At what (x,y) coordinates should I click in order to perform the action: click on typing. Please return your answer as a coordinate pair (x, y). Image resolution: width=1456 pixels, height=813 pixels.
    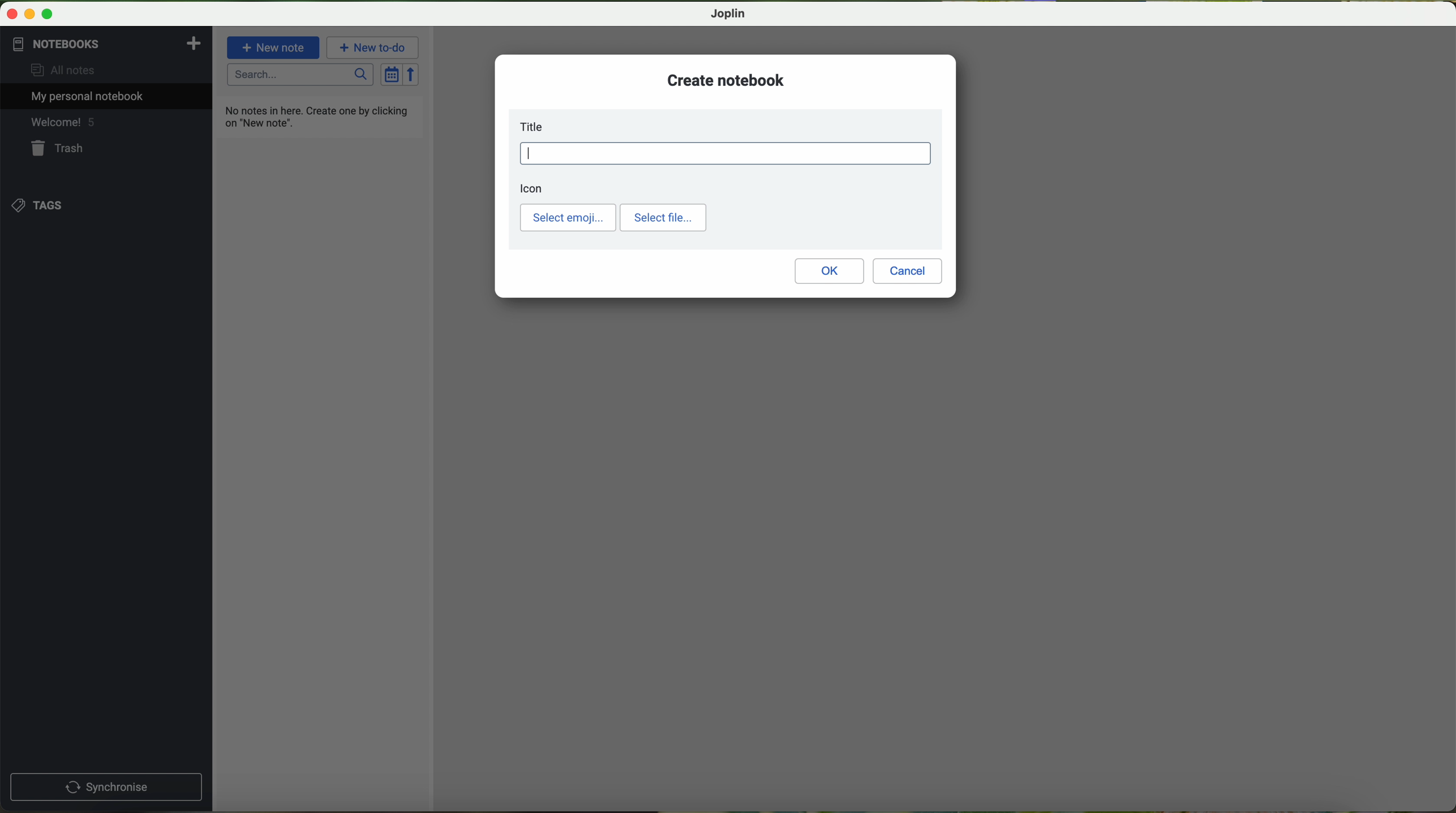
    Looking at the image, I should click on (726, 153).